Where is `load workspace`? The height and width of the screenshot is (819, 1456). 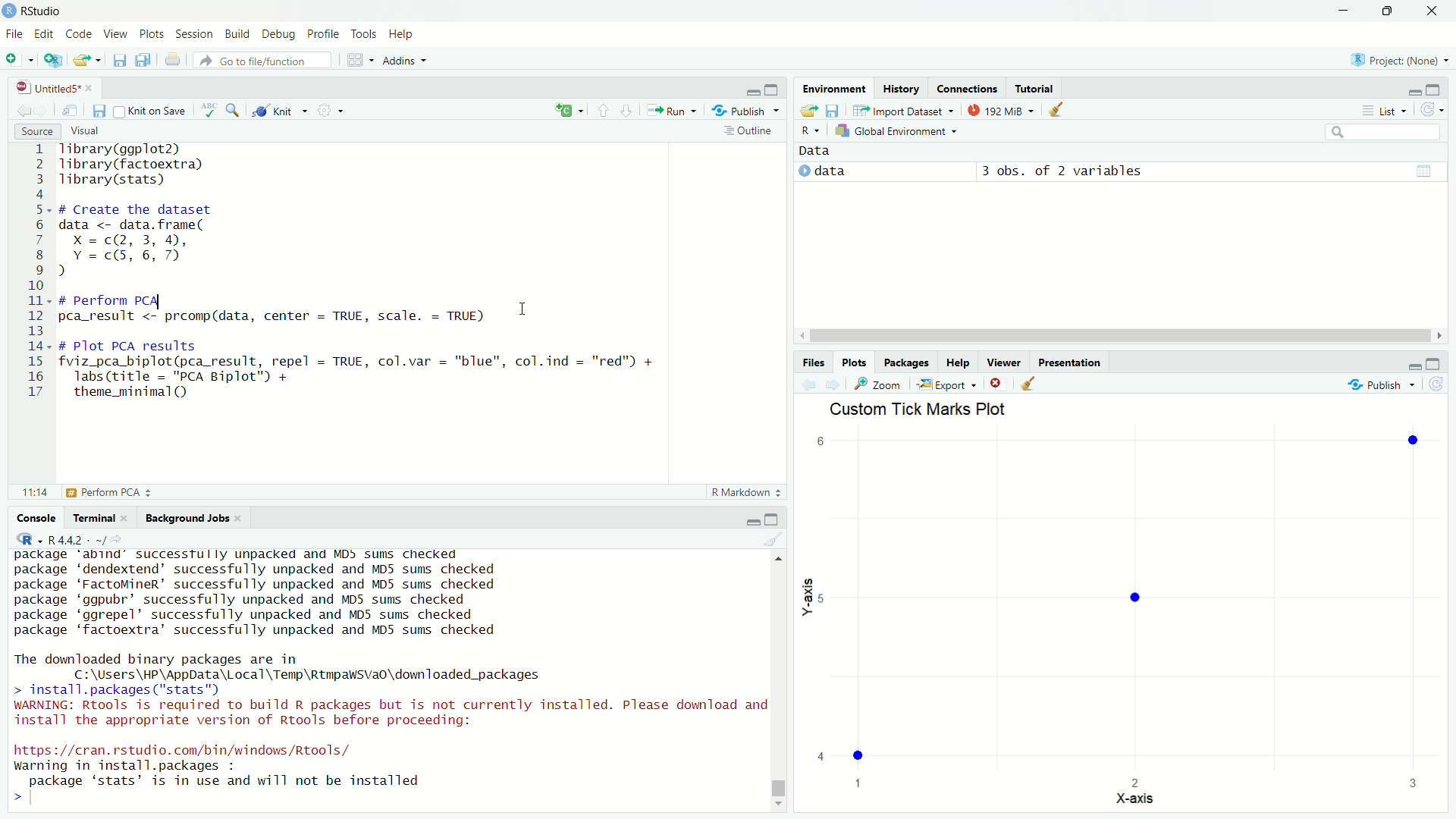
load workspace is located at coordinates (810, 109).